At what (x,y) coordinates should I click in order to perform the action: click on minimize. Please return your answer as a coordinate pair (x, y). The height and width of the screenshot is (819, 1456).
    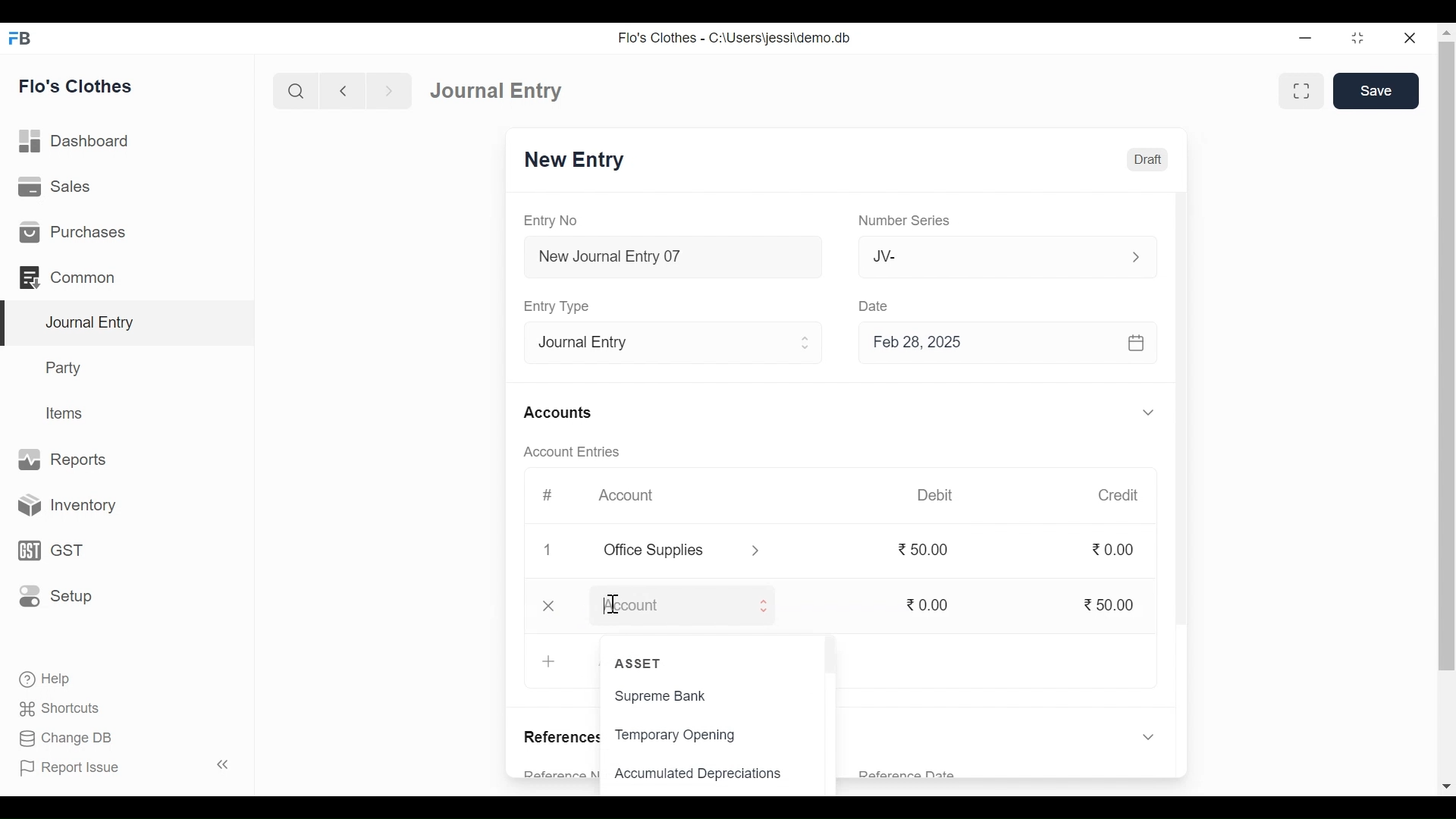
    Looking at the image, I should click on (1306, 39).